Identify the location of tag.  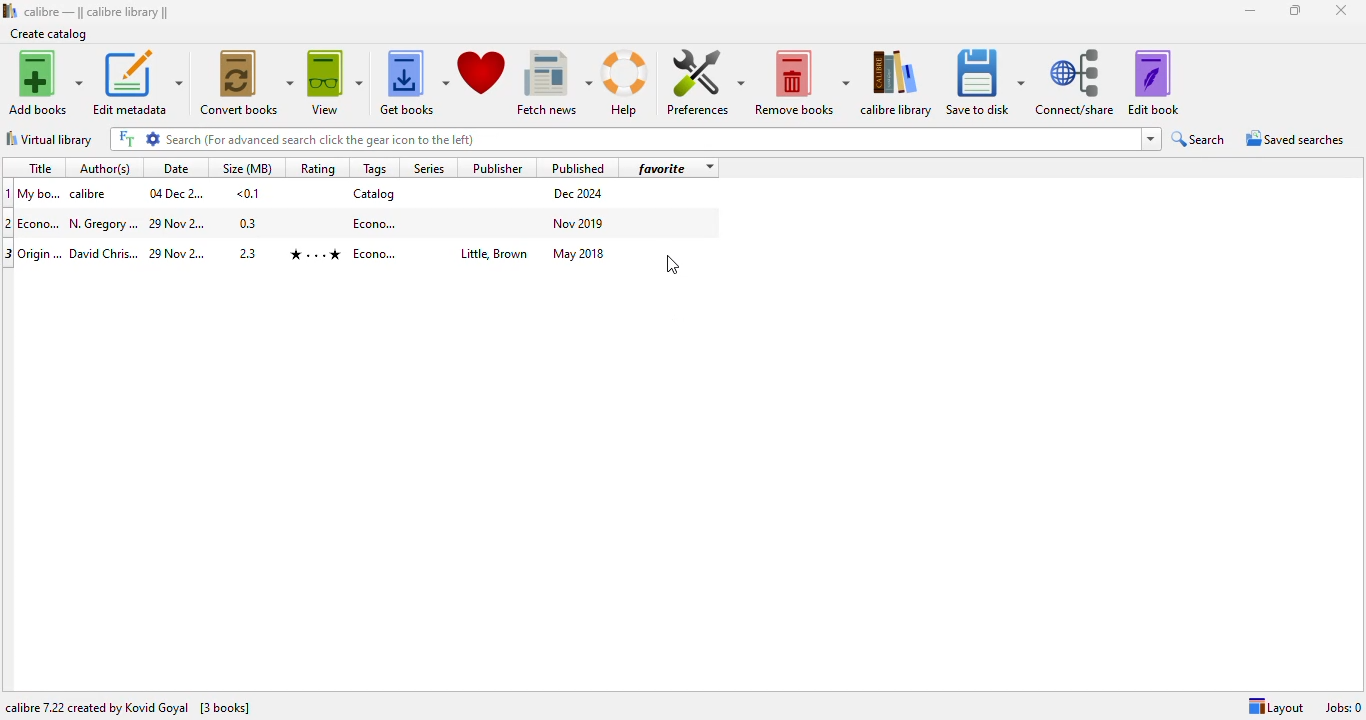
(376, 222).